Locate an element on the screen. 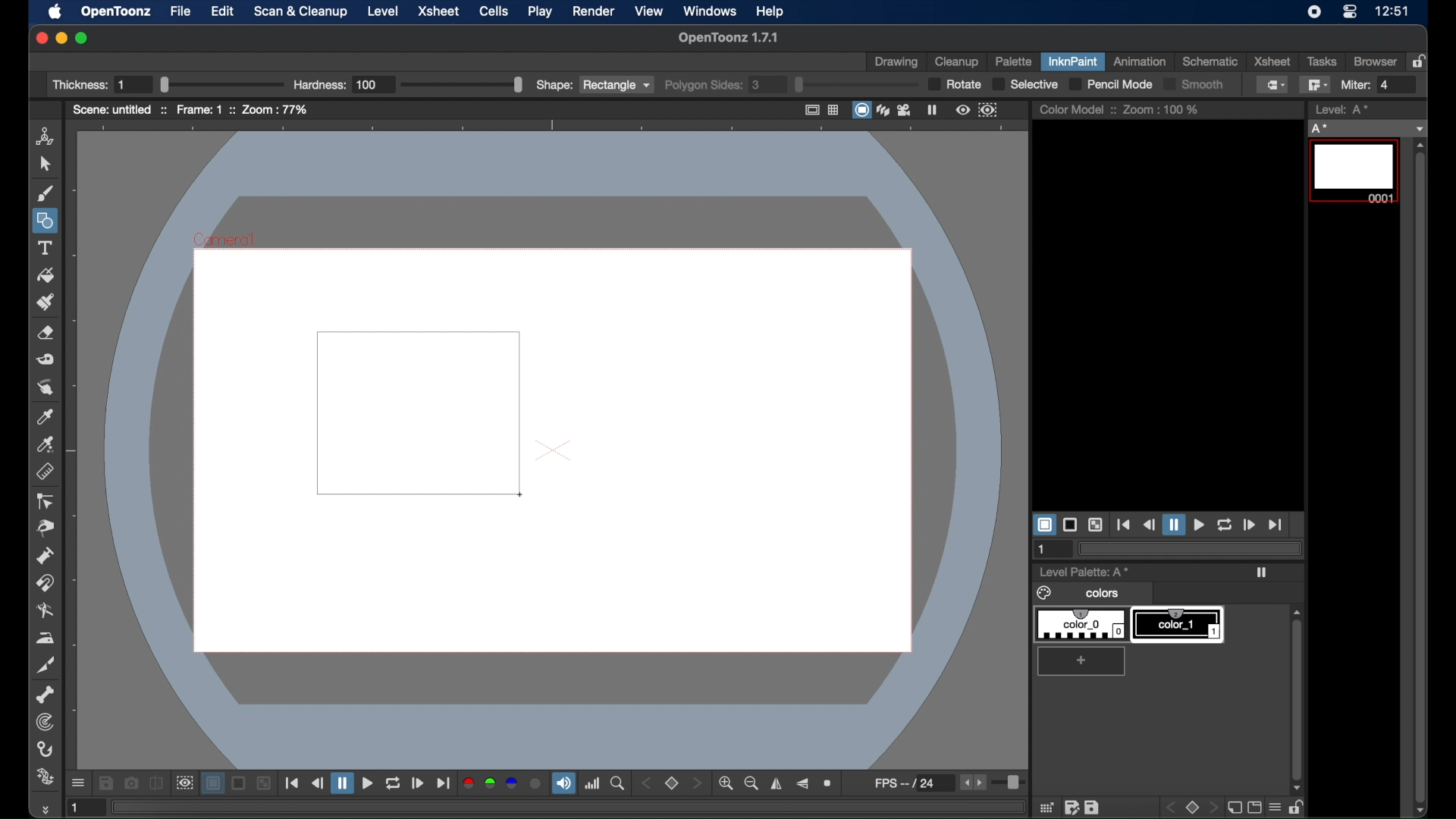 The height and width of the screenshot is (819, 1456). Smooth is located at coordinates (1201, 86).